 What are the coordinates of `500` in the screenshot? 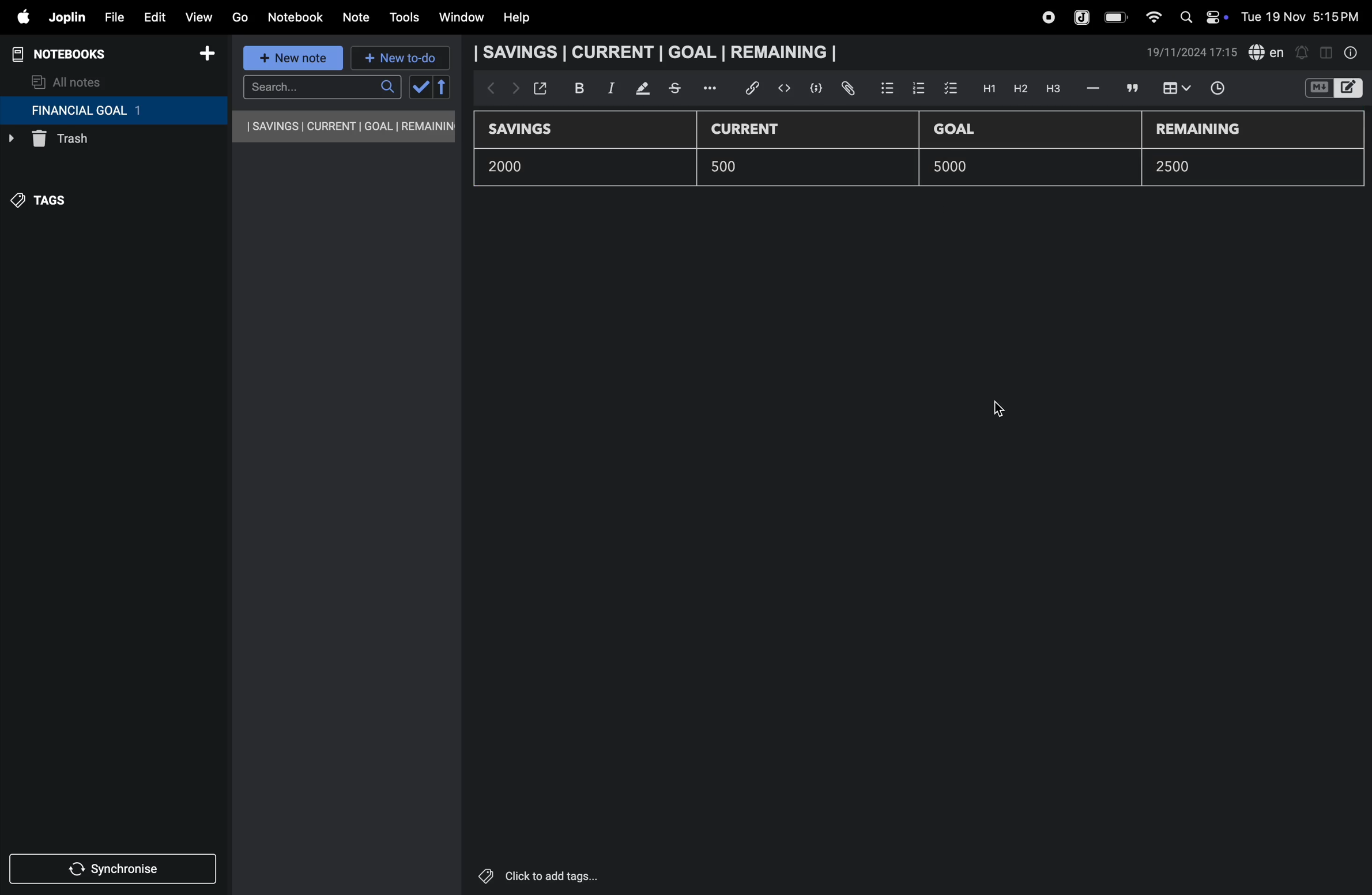 It's located at (731, 167).